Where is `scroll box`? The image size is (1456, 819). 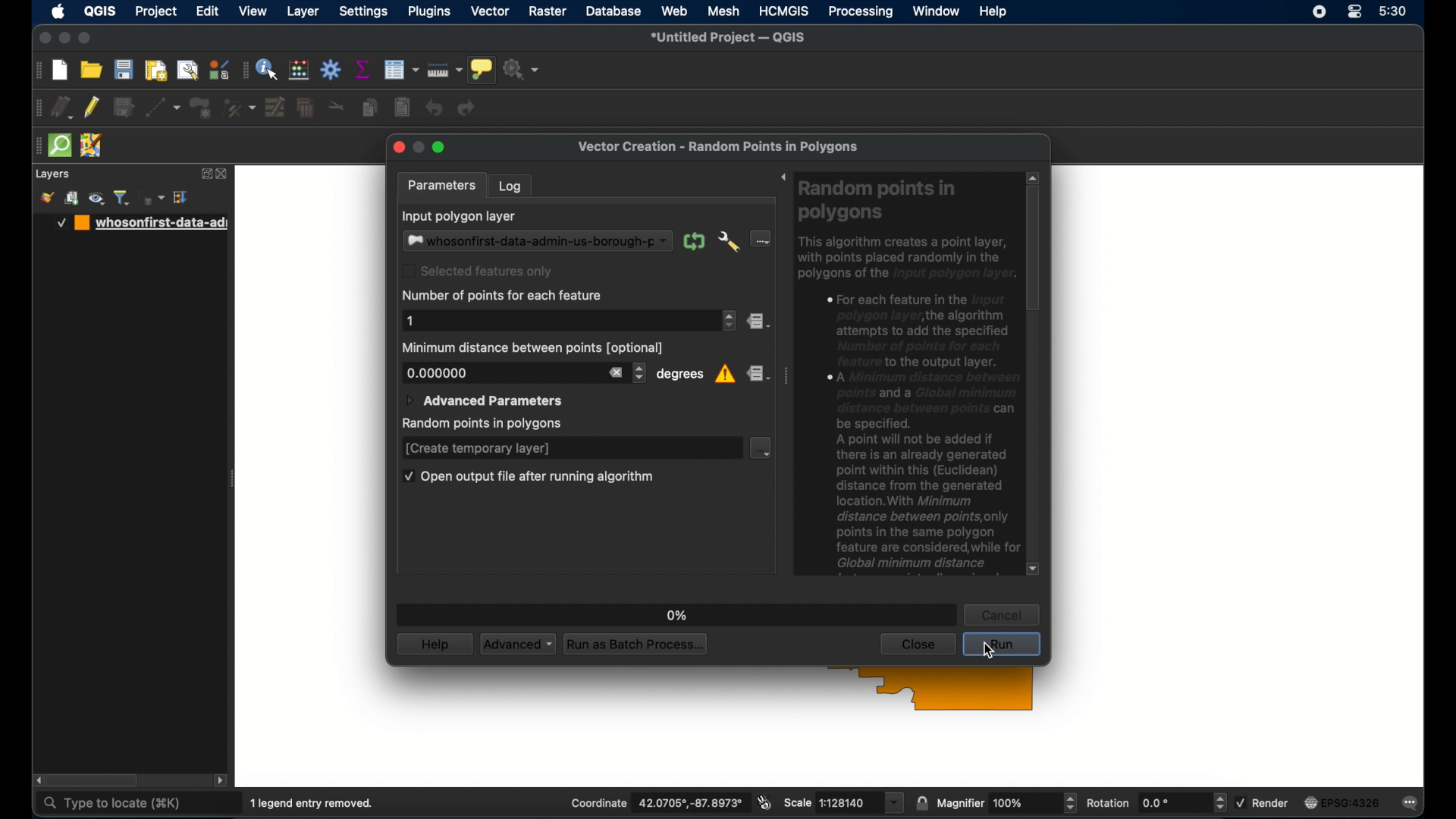 scroll box is located at coordinates (96, 780).